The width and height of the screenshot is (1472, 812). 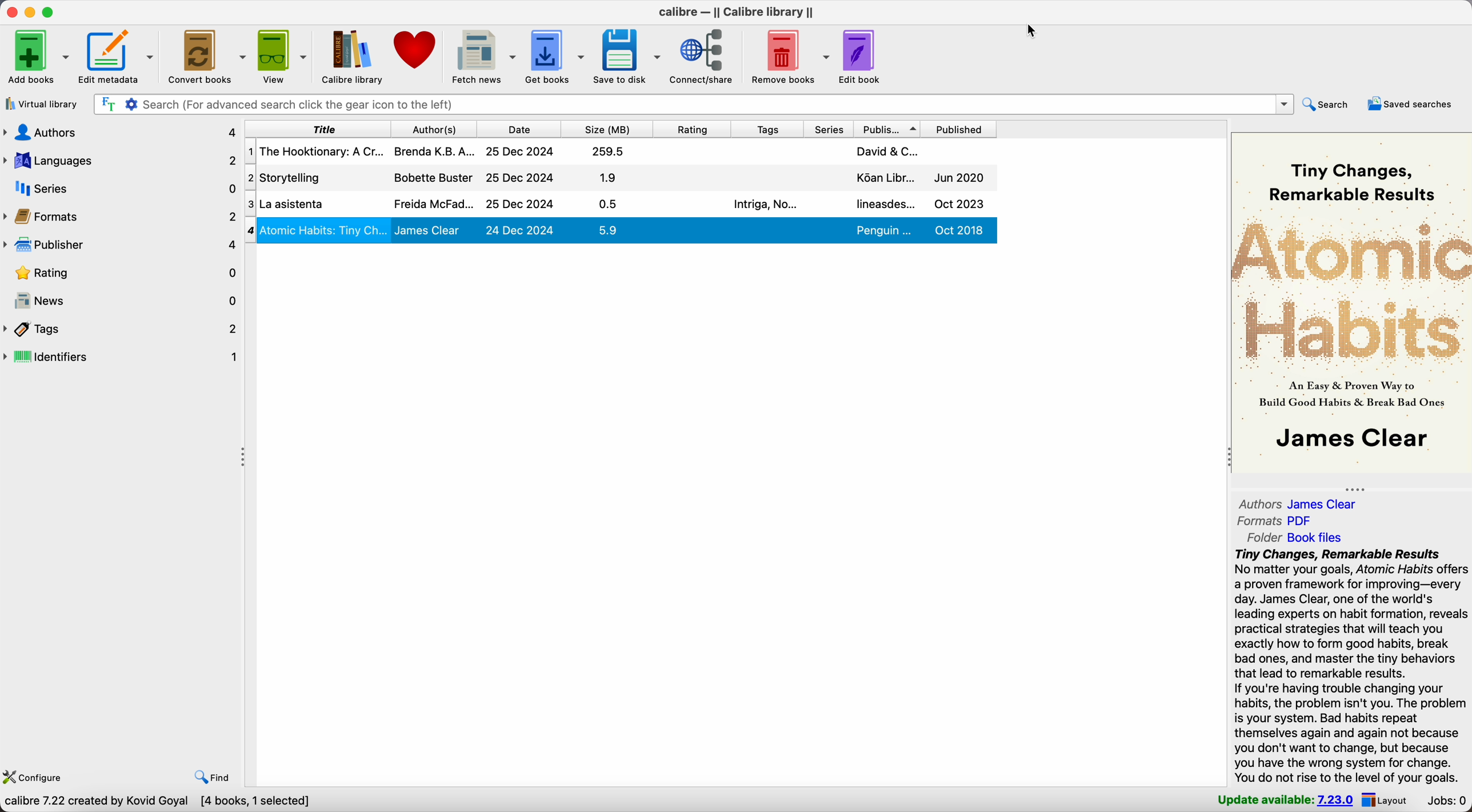 What do you see at coordinates (121, 190) in the screenshot?
I see `series` at bounding box center [121, 190].